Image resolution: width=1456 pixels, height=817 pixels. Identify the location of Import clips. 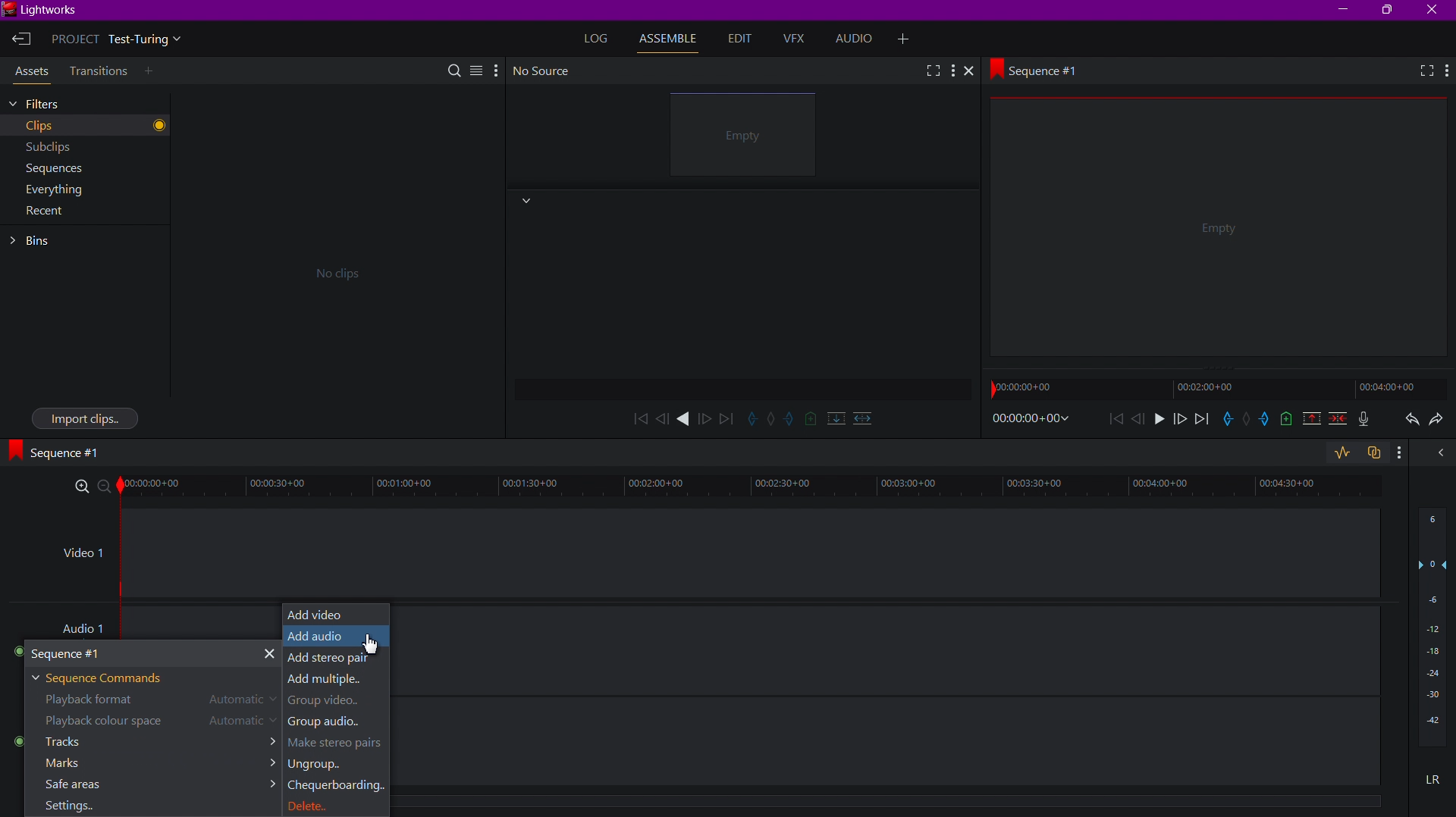
(85, 417).